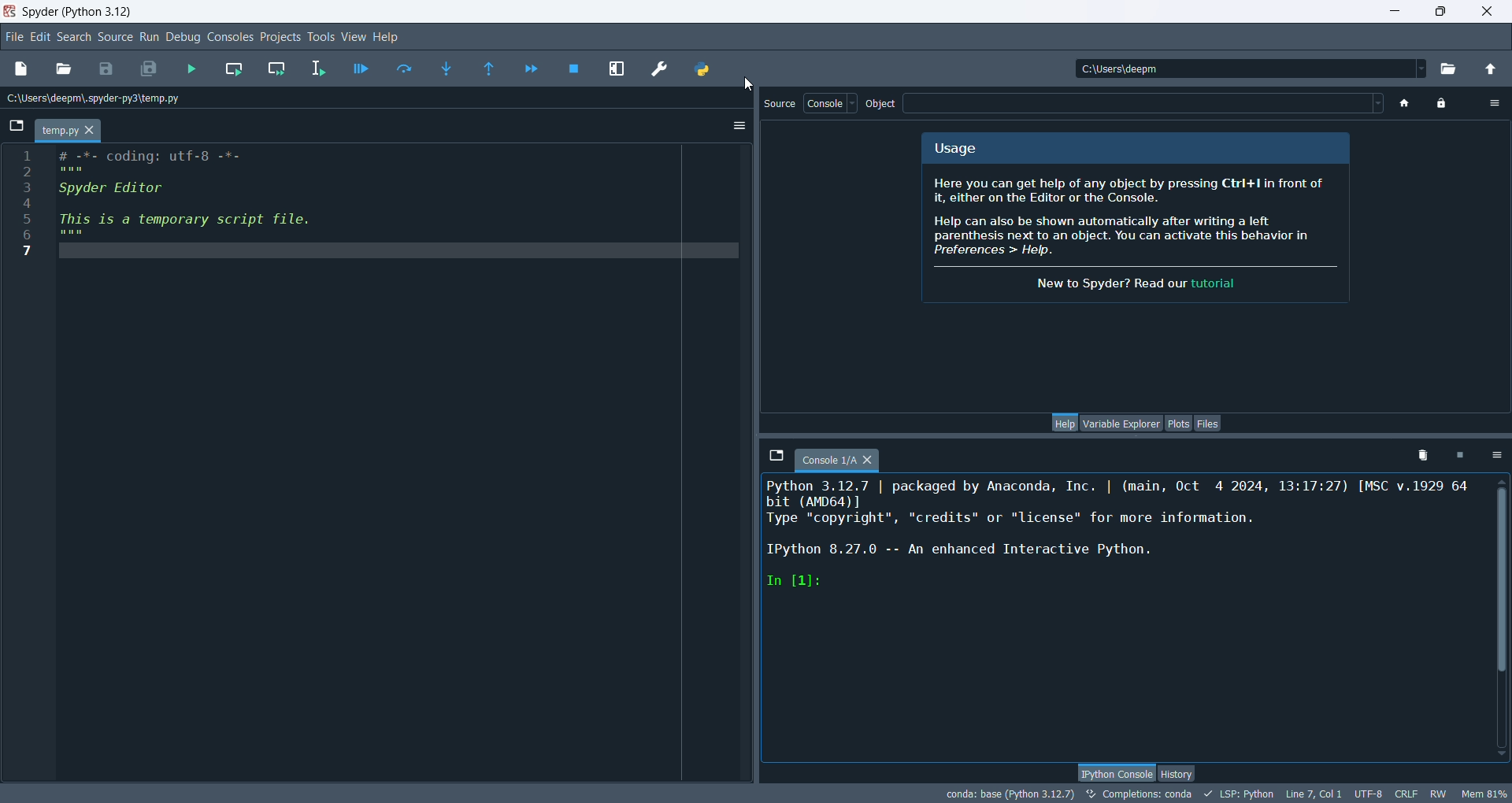 The width and height of the screenshot is (1512, 803). Describe the element at coordinates (1137, 794) in the screenshot. I see `completions: conda` at that location.